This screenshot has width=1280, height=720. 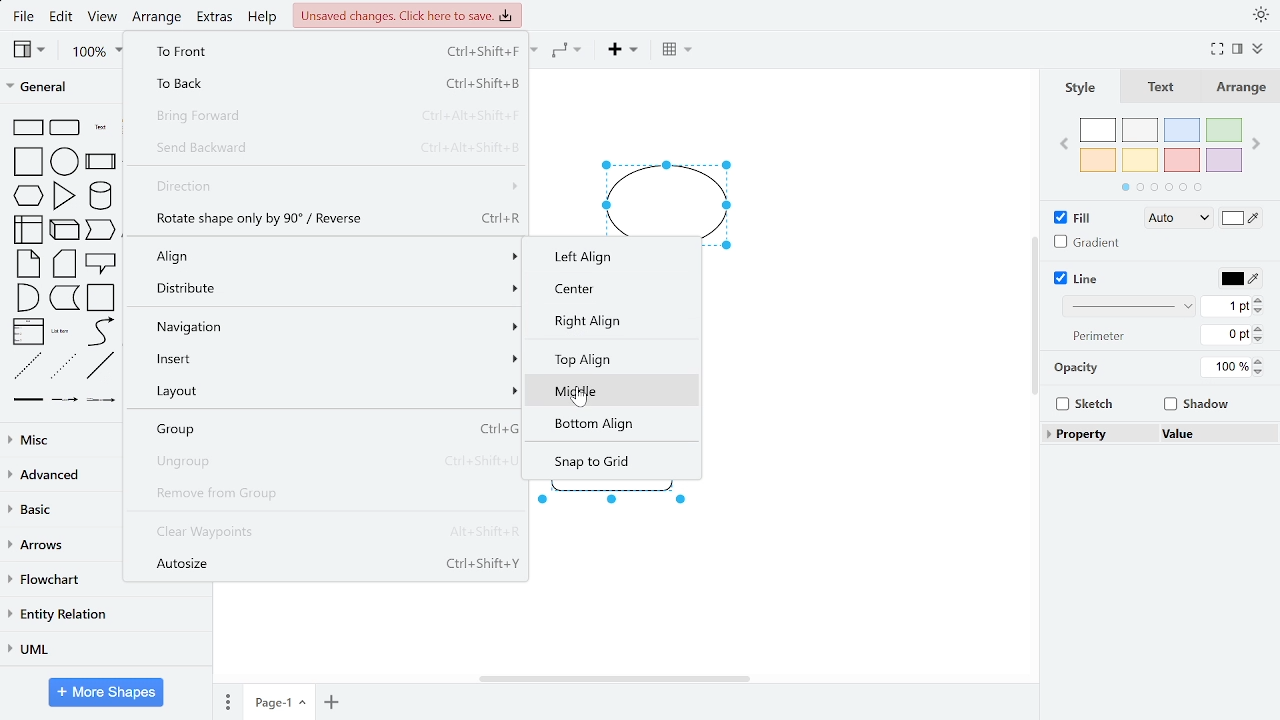 I want to click on appearance, so click(x=1258, y=15).